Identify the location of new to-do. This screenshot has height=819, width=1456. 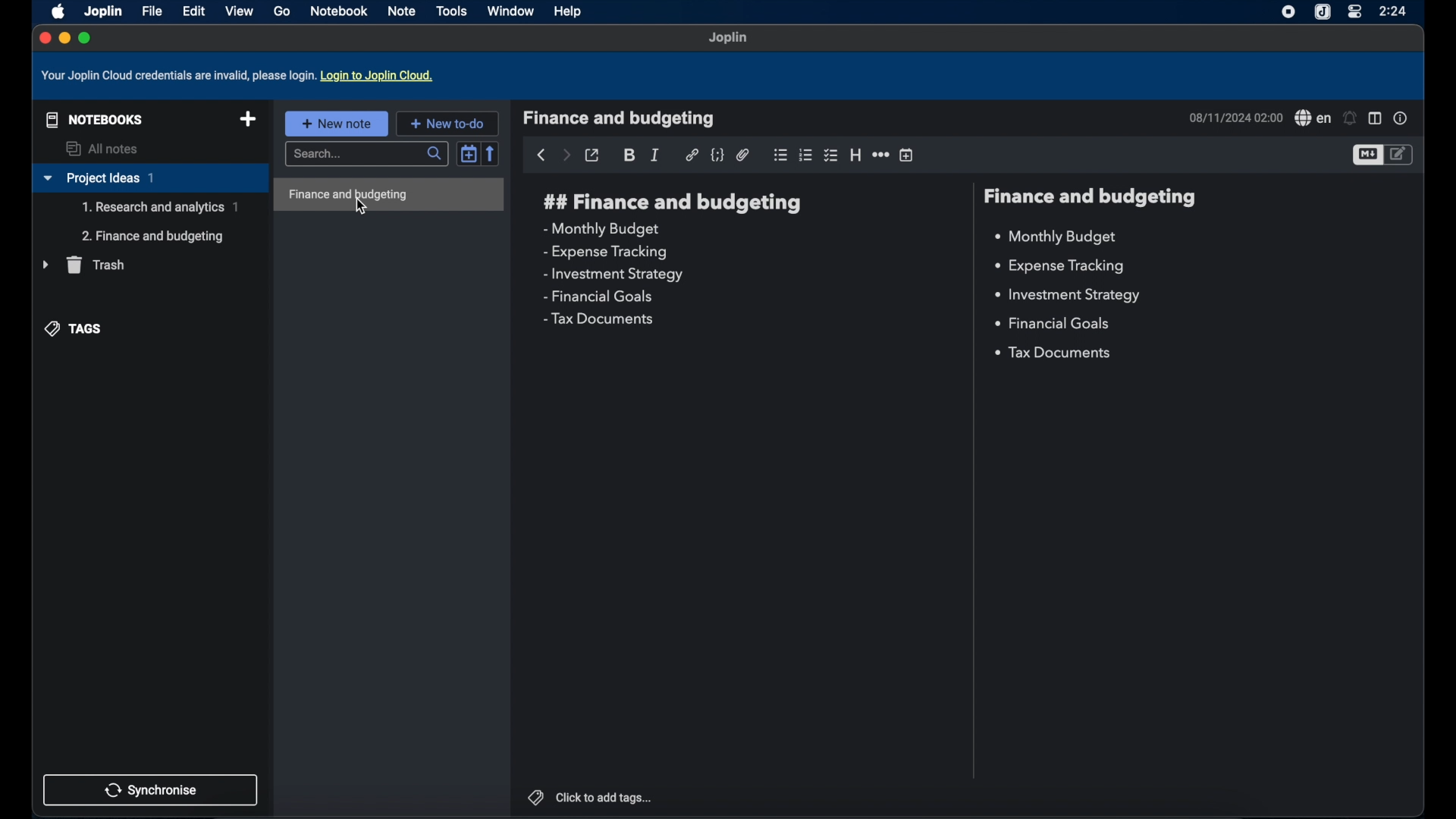
(447, 123).